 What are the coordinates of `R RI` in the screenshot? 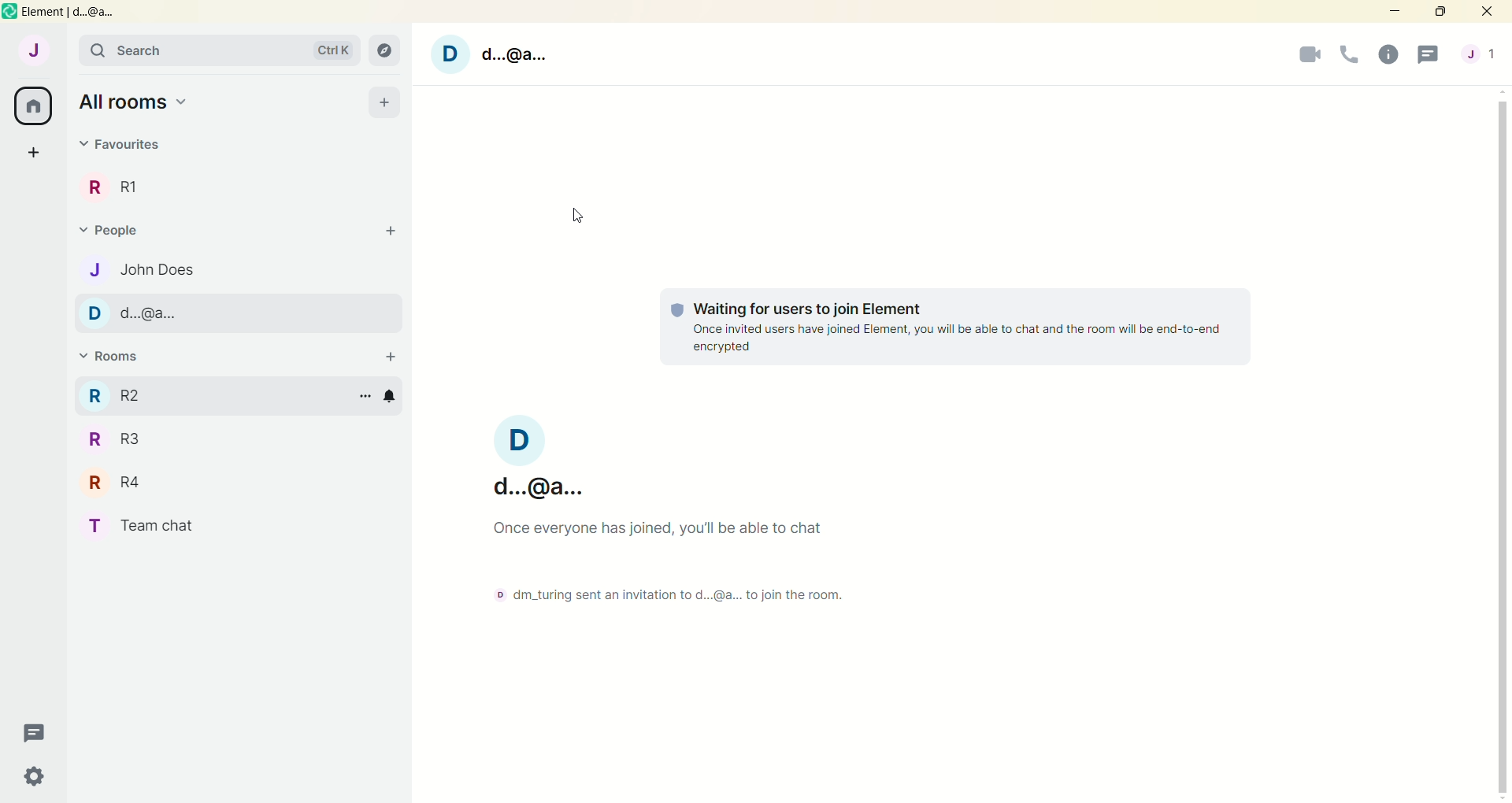 It's located at (138, 186).